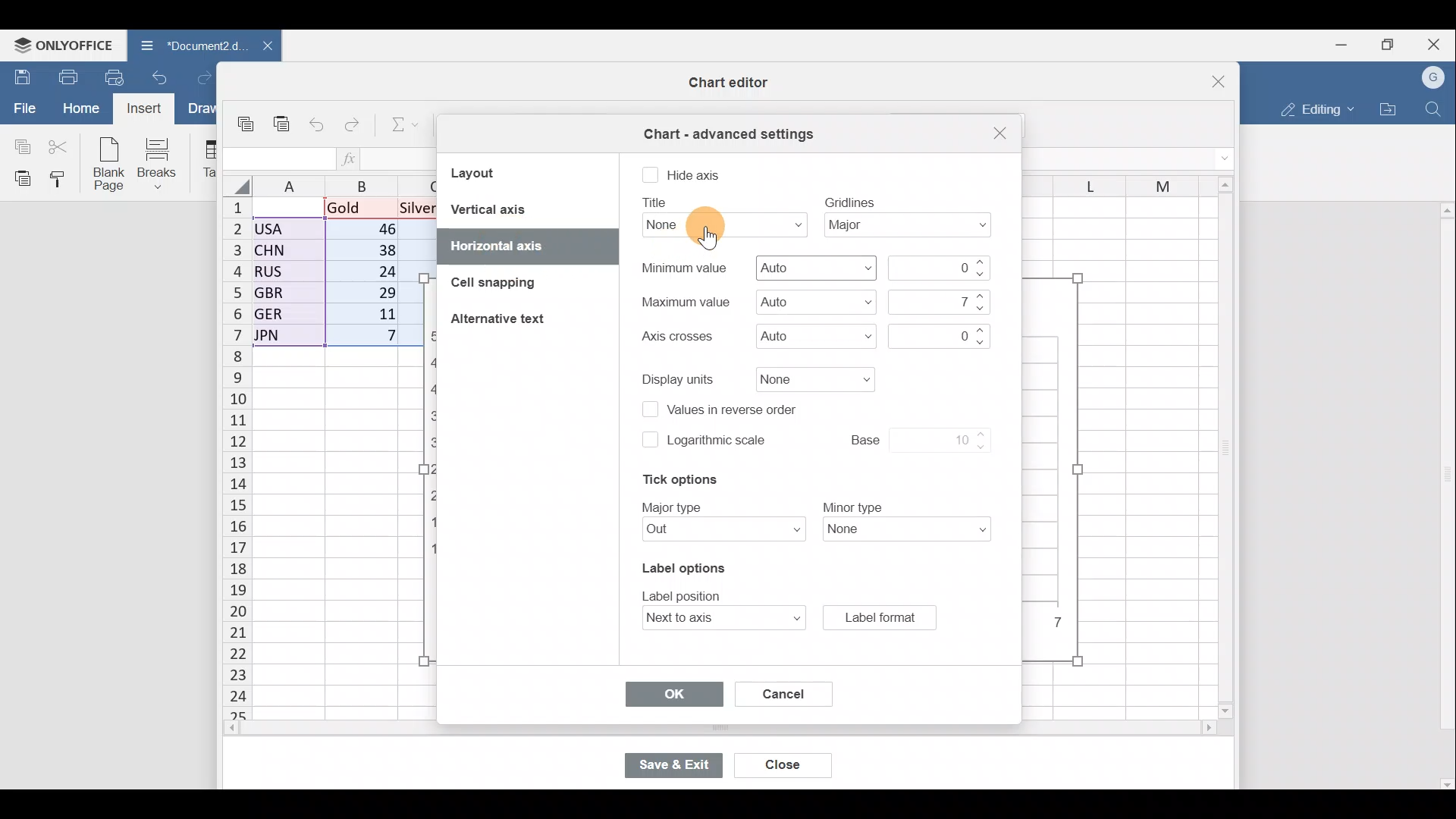  I want to click on Find, so click(1434, 109).